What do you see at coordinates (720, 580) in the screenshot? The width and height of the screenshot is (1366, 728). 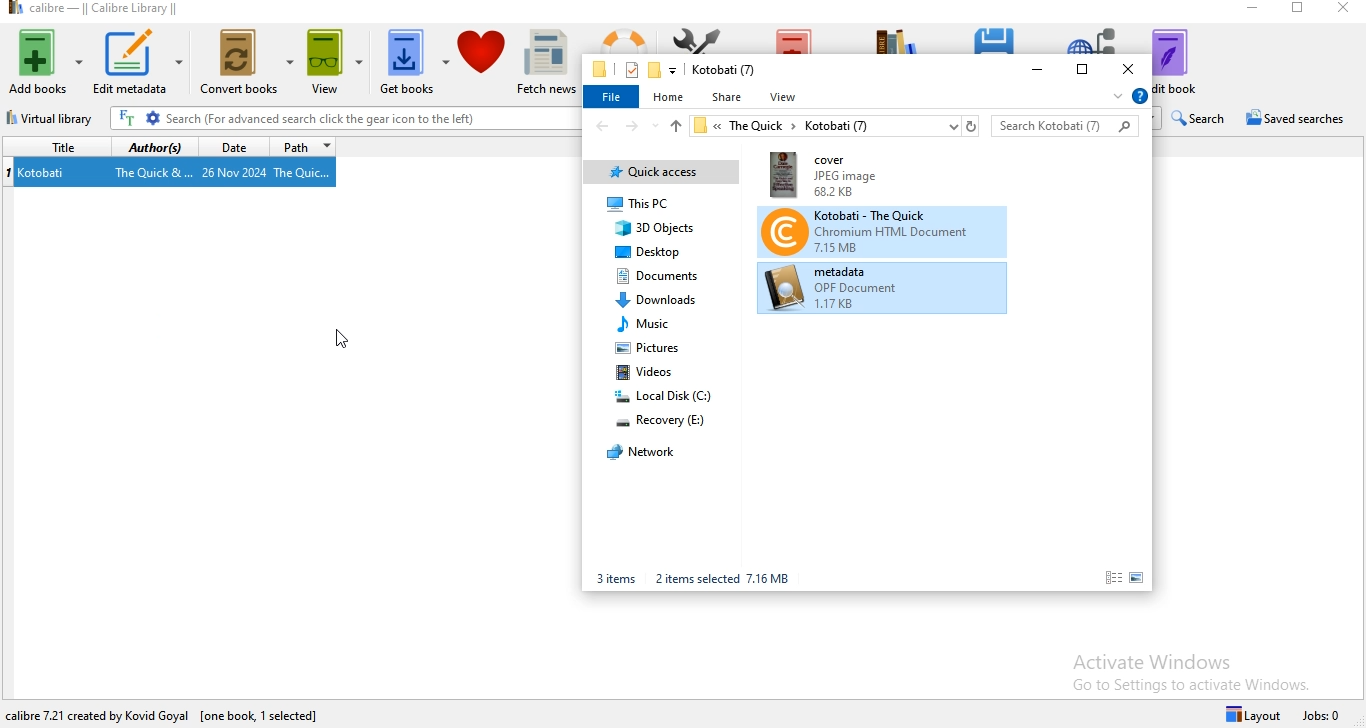 I see `2 items selected 7.16MB` at bounding box center [720, 580].